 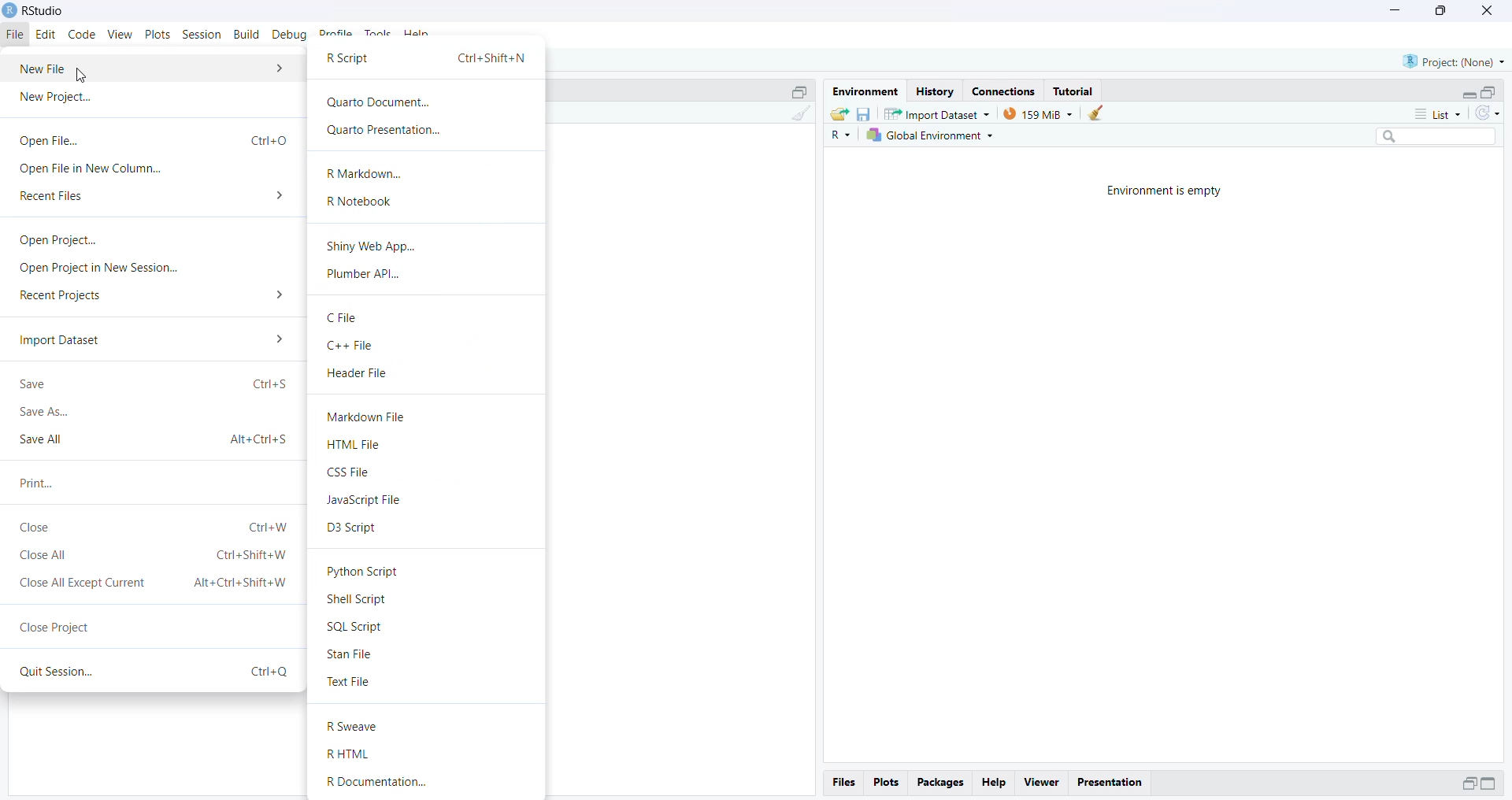 I want to click on tutorial, so click(x=1075, y=91).